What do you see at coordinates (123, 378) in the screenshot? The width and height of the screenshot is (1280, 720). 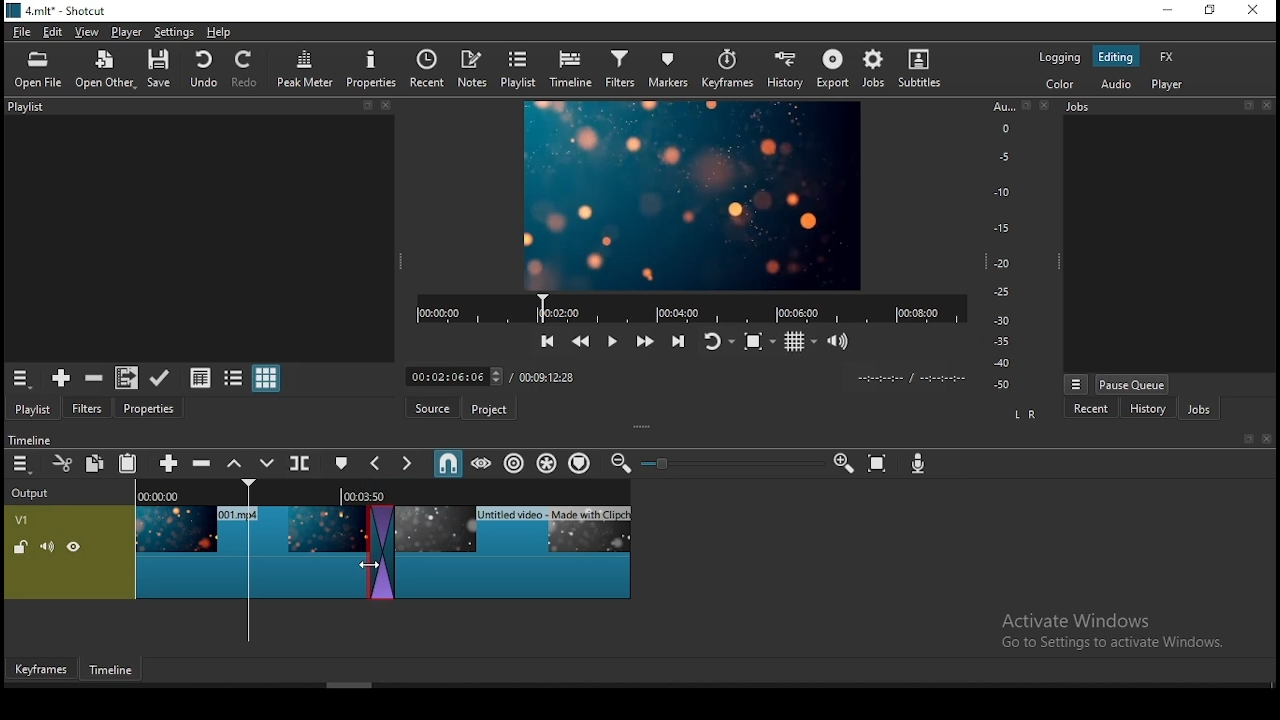 I see `add files to playlist` at bounding box center [123, 378].